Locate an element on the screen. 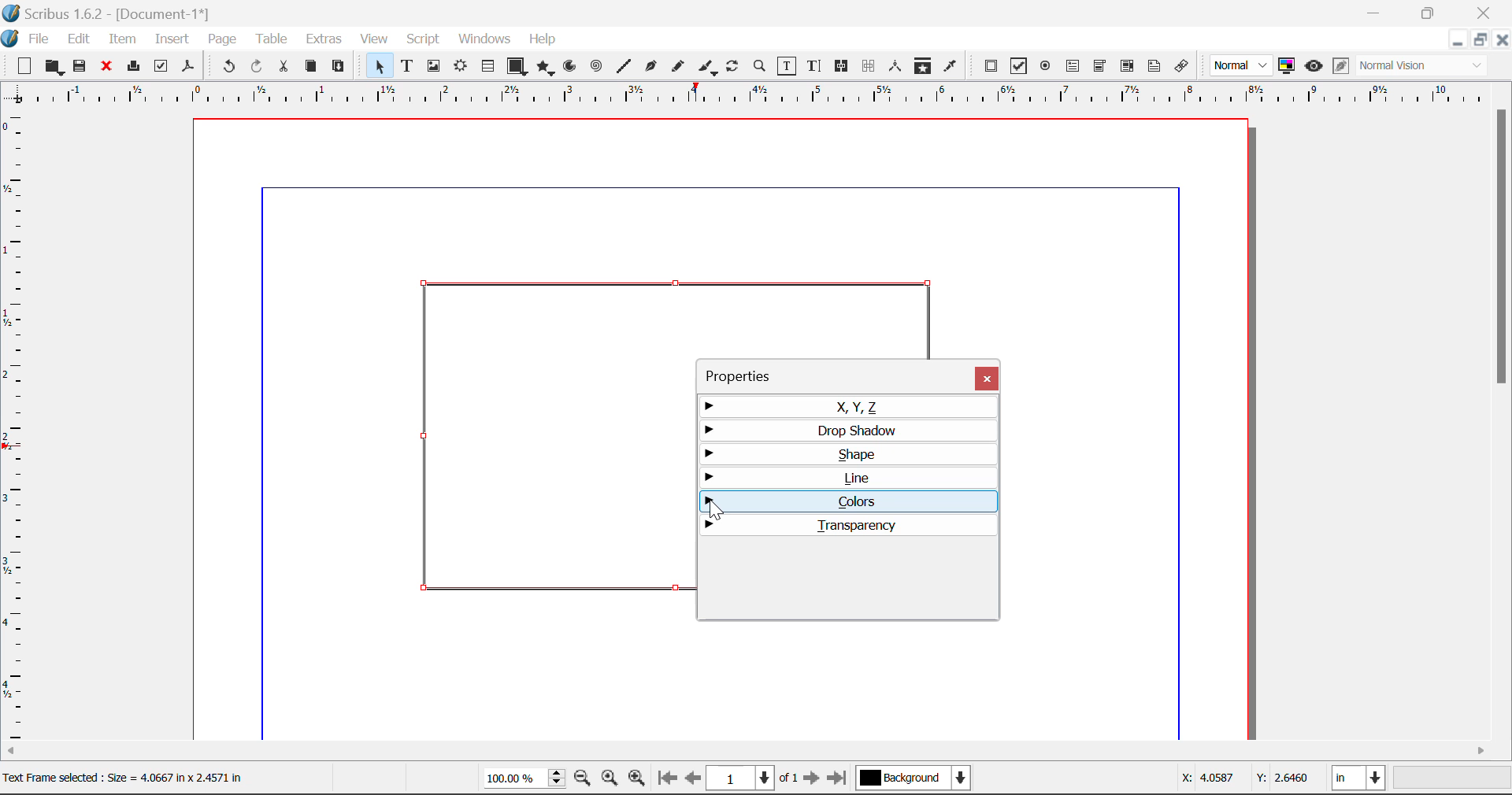 This screenshot has width=1512, height=795. Extras is located at coordinates (325, 39).